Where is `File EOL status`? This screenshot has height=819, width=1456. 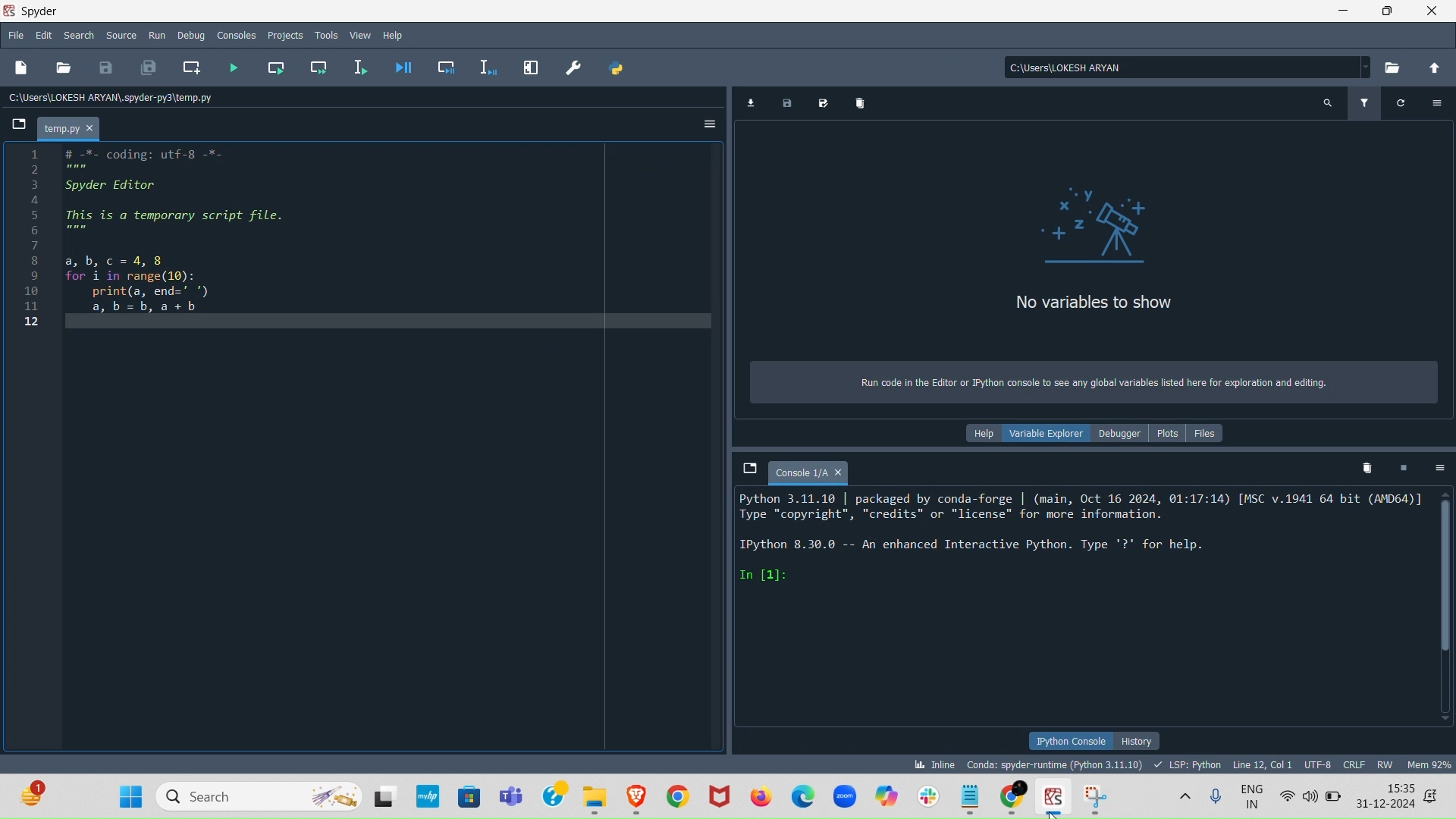 File EOL status is located at coordinates (1356, 765).